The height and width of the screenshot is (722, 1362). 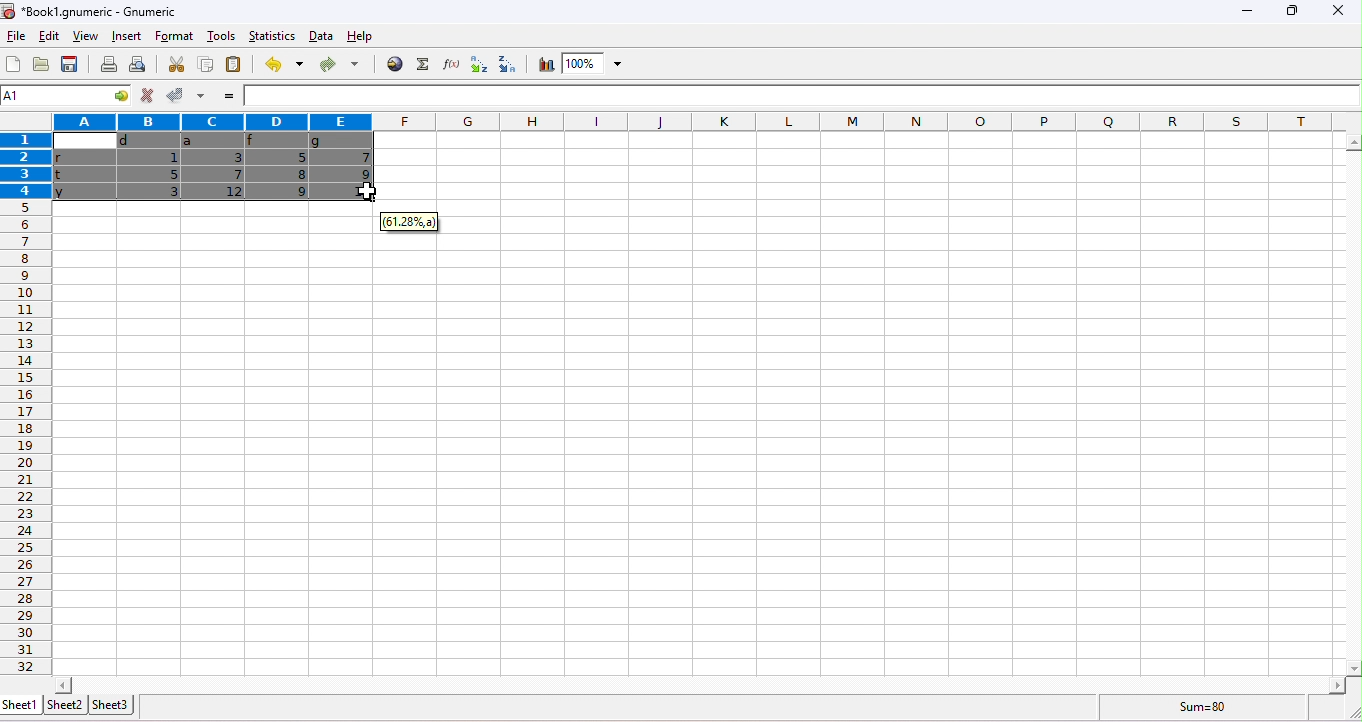 I want to click on edit, so click(x=51, y=37).